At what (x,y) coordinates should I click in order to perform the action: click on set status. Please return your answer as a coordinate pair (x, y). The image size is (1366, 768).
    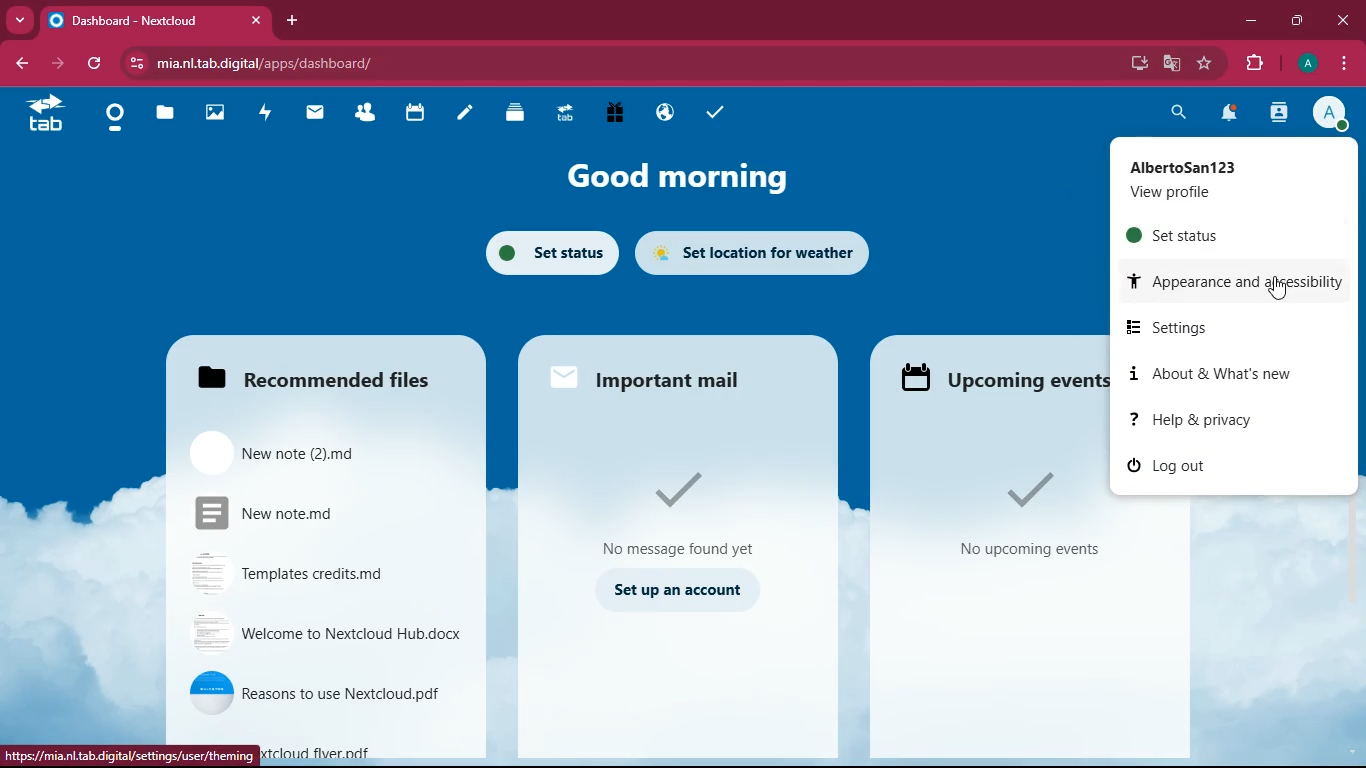
    Looking at the image, I should click on (546, 251).